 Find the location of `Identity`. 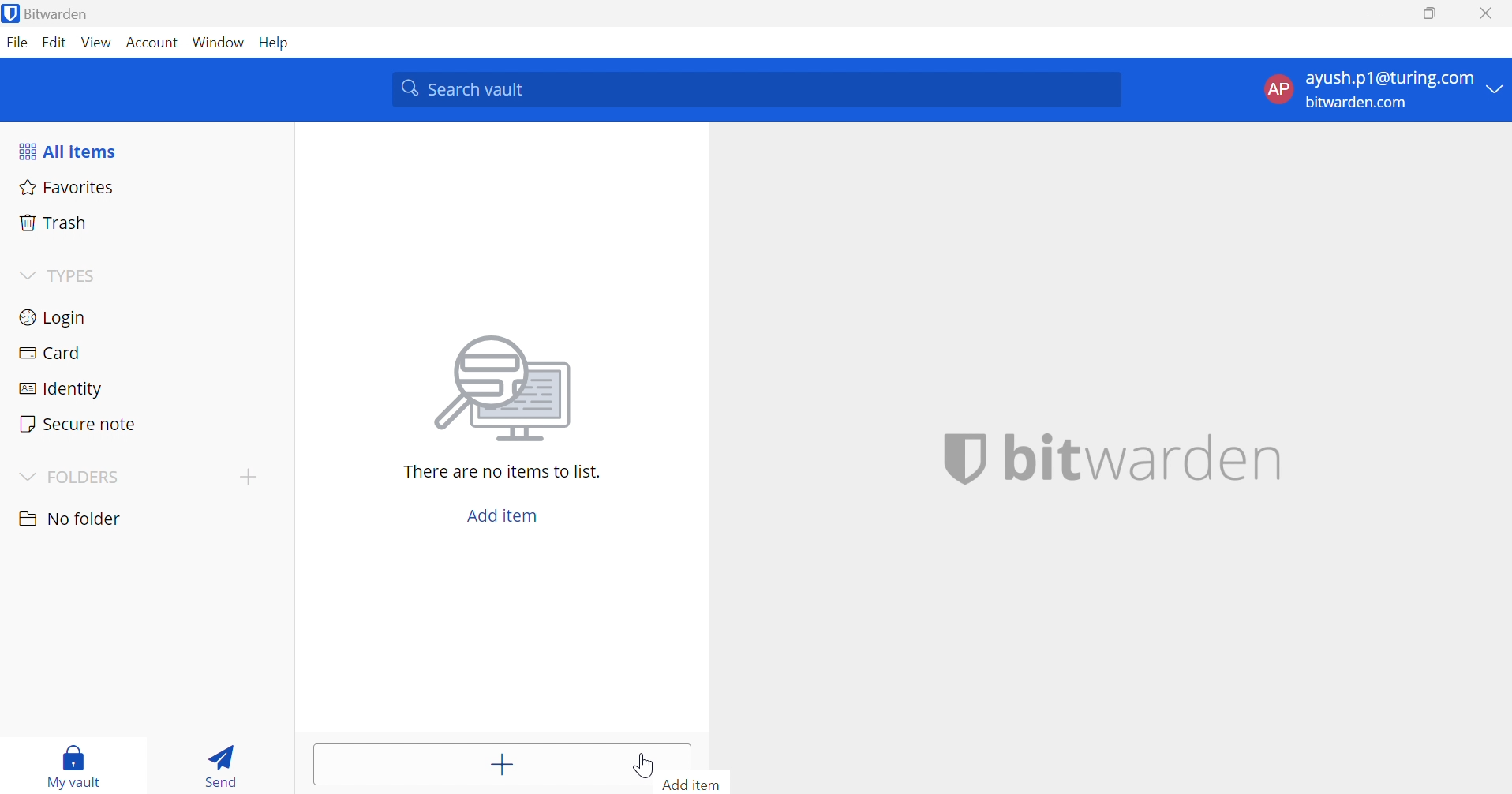

Identity is located at coordinates (59, 389).